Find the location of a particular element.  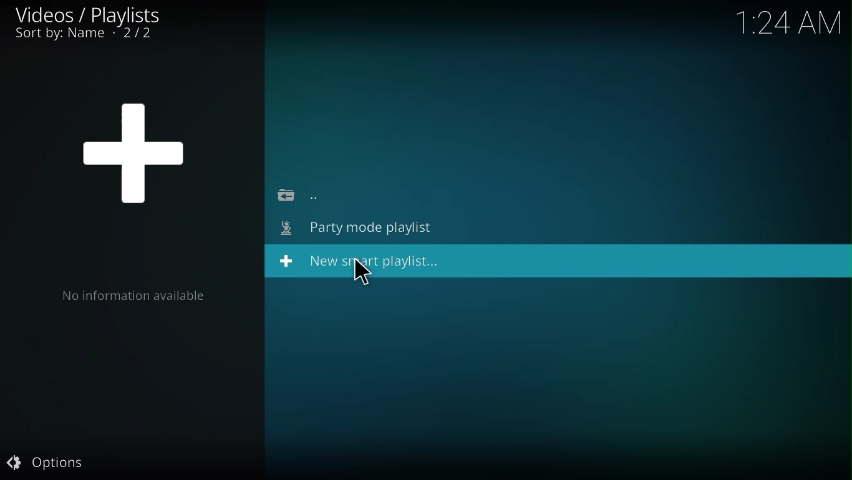

new smart playlist is located at coordinates (366, 263).